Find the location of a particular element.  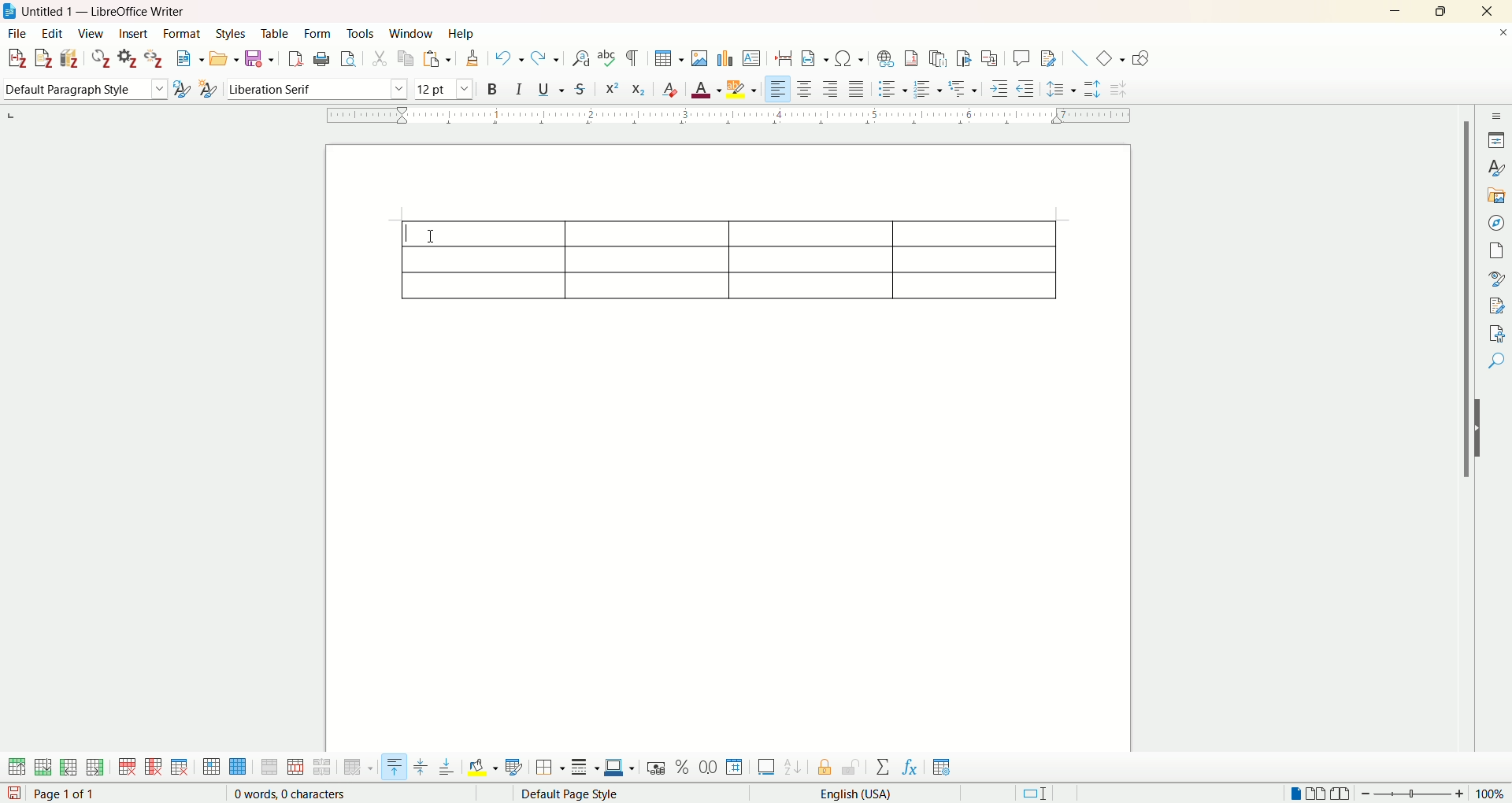

view is located at coordinates (91, 32).